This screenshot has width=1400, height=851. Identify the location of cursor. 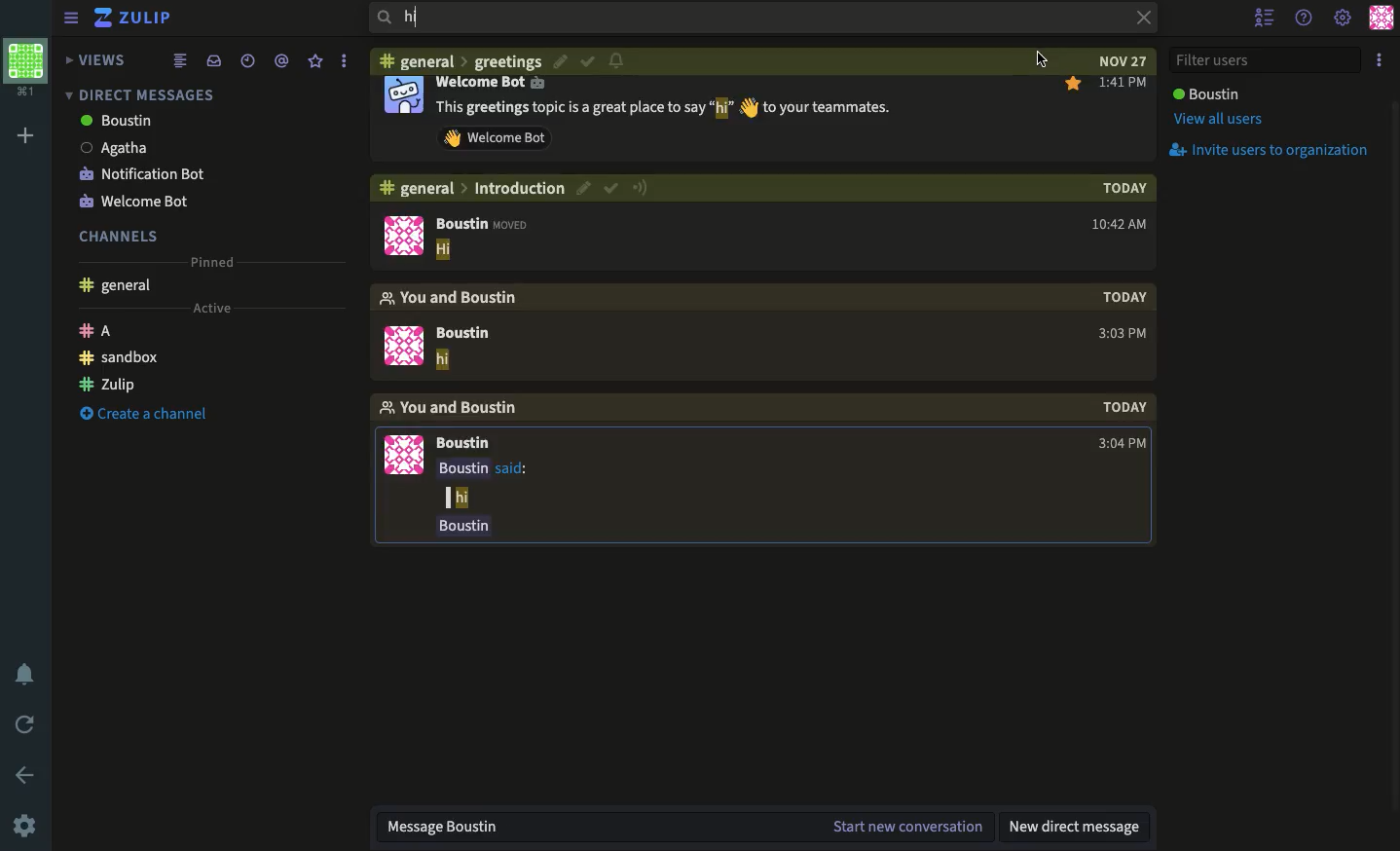
(1041, 59).